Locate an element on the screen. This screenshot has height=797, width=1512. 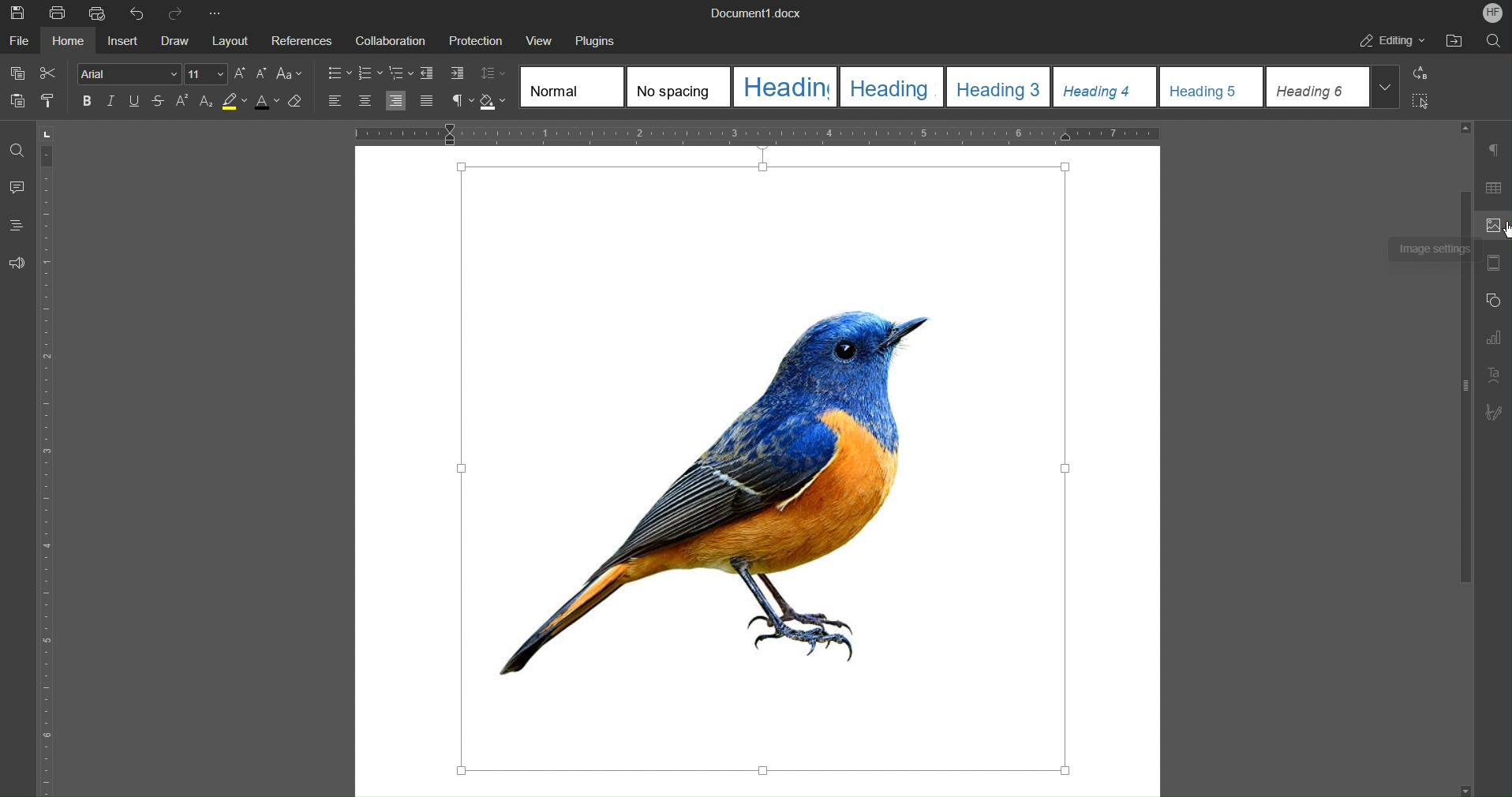
Cut is located at coordinates (50, 73).